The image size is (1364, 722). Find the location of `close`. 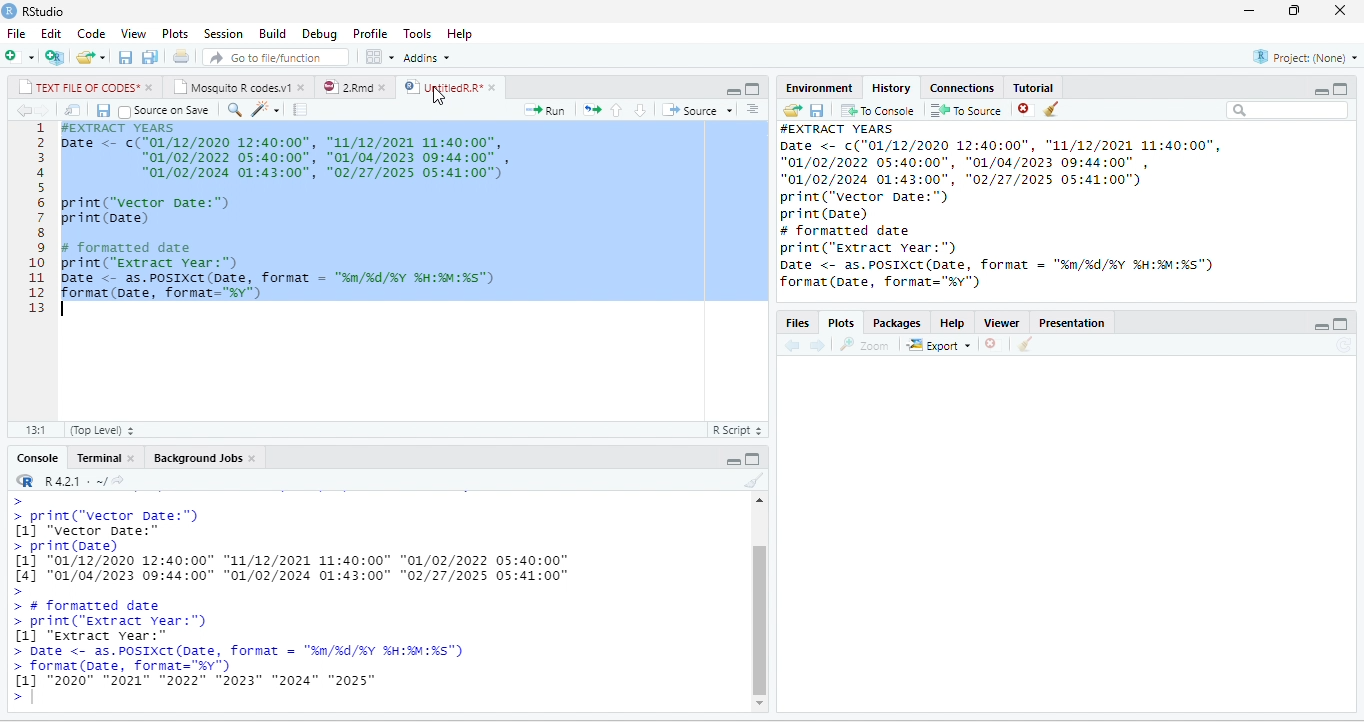

close is located at coordinates (385, 87).